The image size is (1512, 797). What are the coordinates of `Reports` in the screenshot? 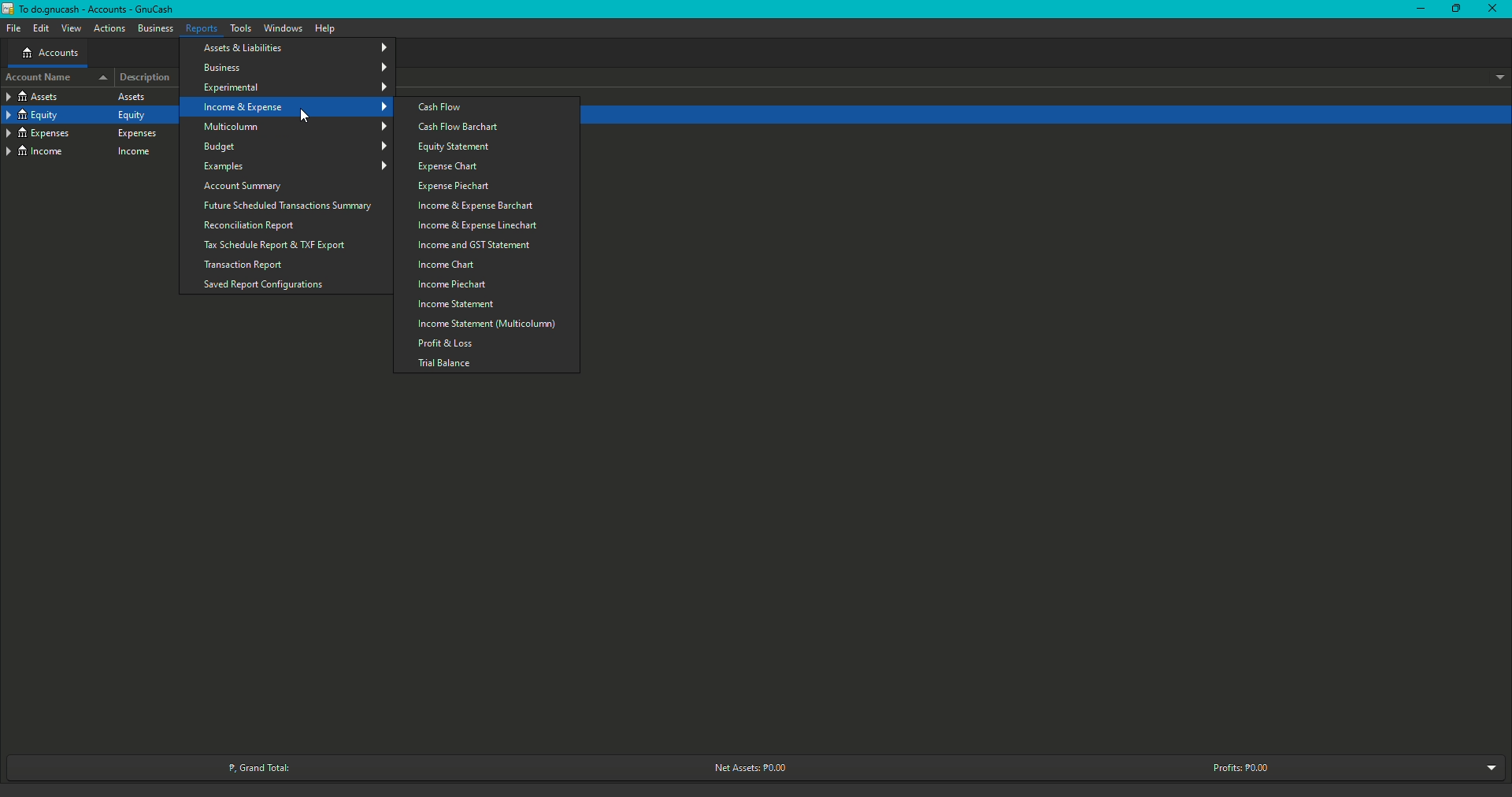 It's located at (203, 28).